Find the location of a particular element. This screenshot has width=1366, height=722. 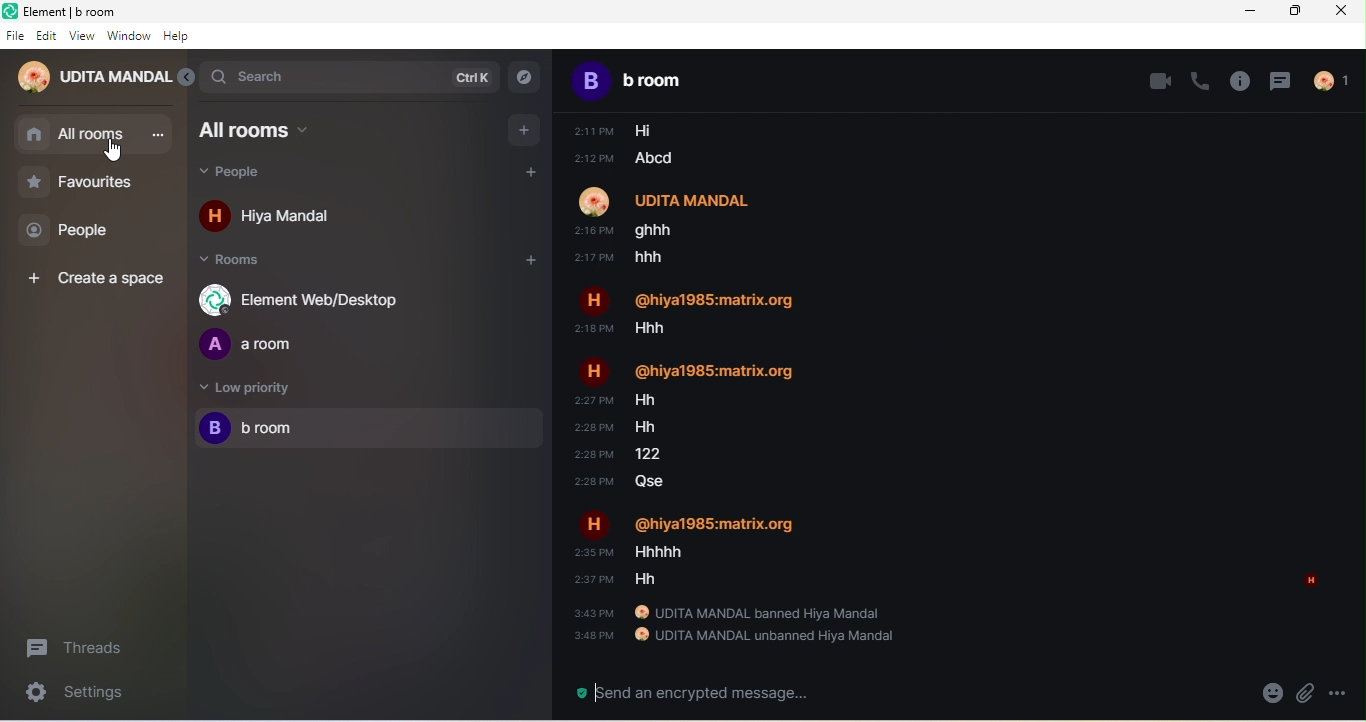

people is located at coordinates (1338, 81).